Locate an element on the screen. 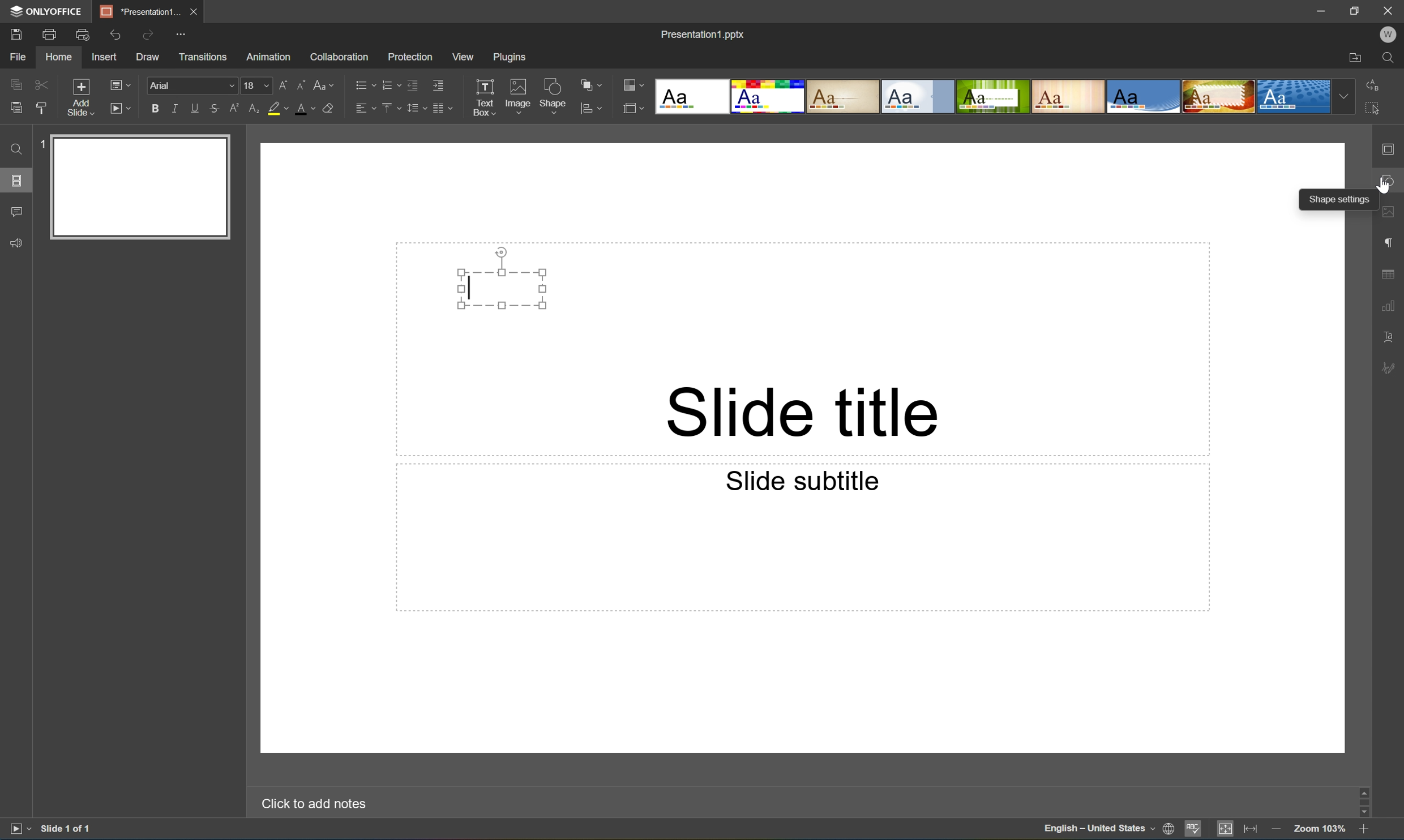 The width and height of the screenshot is (1404, 840). Insert is located at coordinates (104, 57).